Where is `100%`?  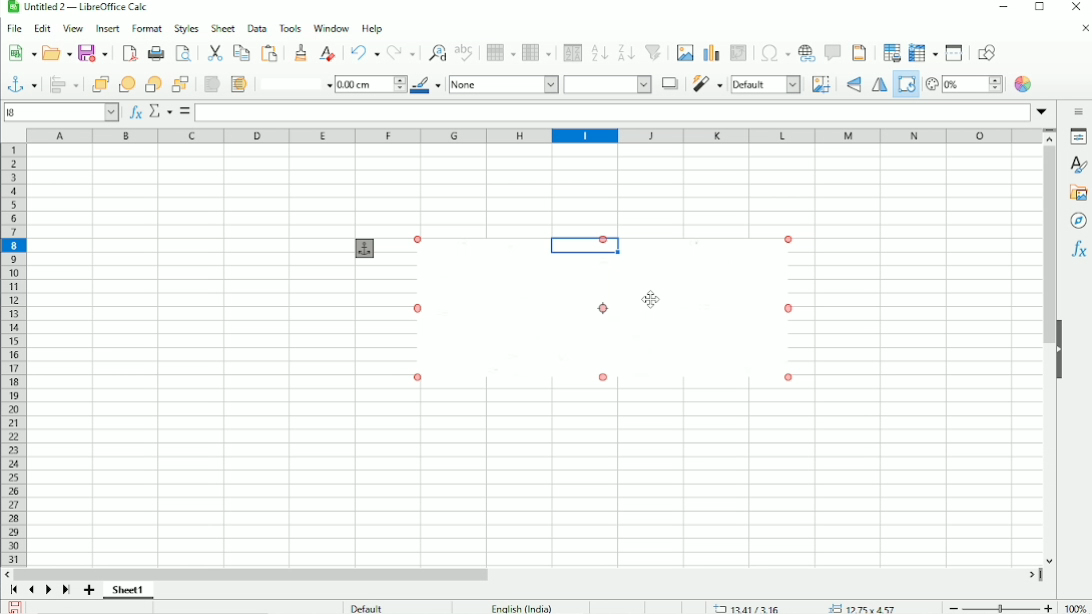 100% is located at coordinates (1075, 605).